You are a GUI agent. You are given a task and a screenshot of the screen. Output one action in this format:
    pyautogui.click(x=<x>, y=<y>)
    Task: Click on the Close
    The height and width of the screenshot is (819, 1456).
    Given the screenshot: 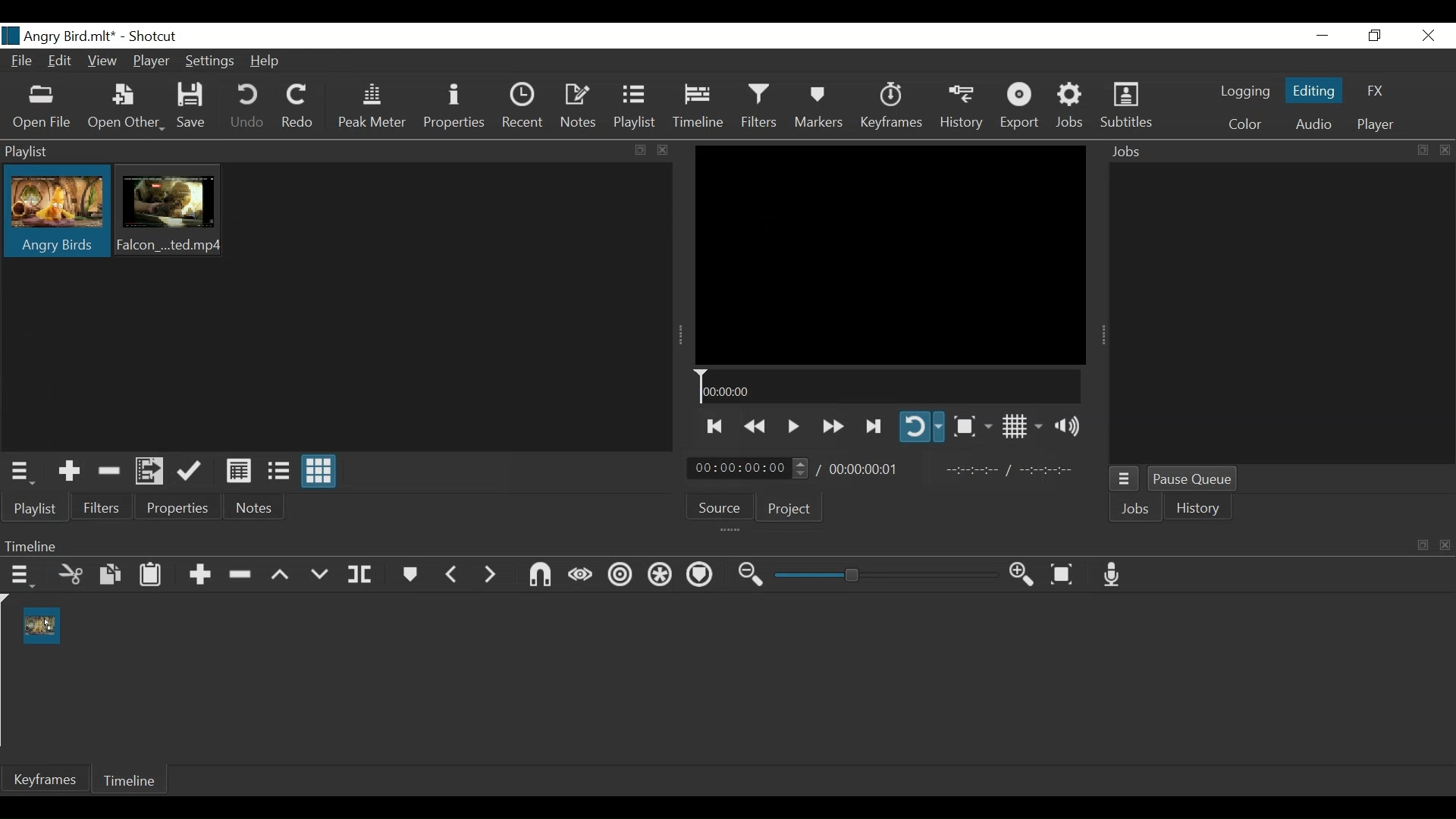 What is the action you would take?
    pyautogui.click(x=1428, y=36)
    